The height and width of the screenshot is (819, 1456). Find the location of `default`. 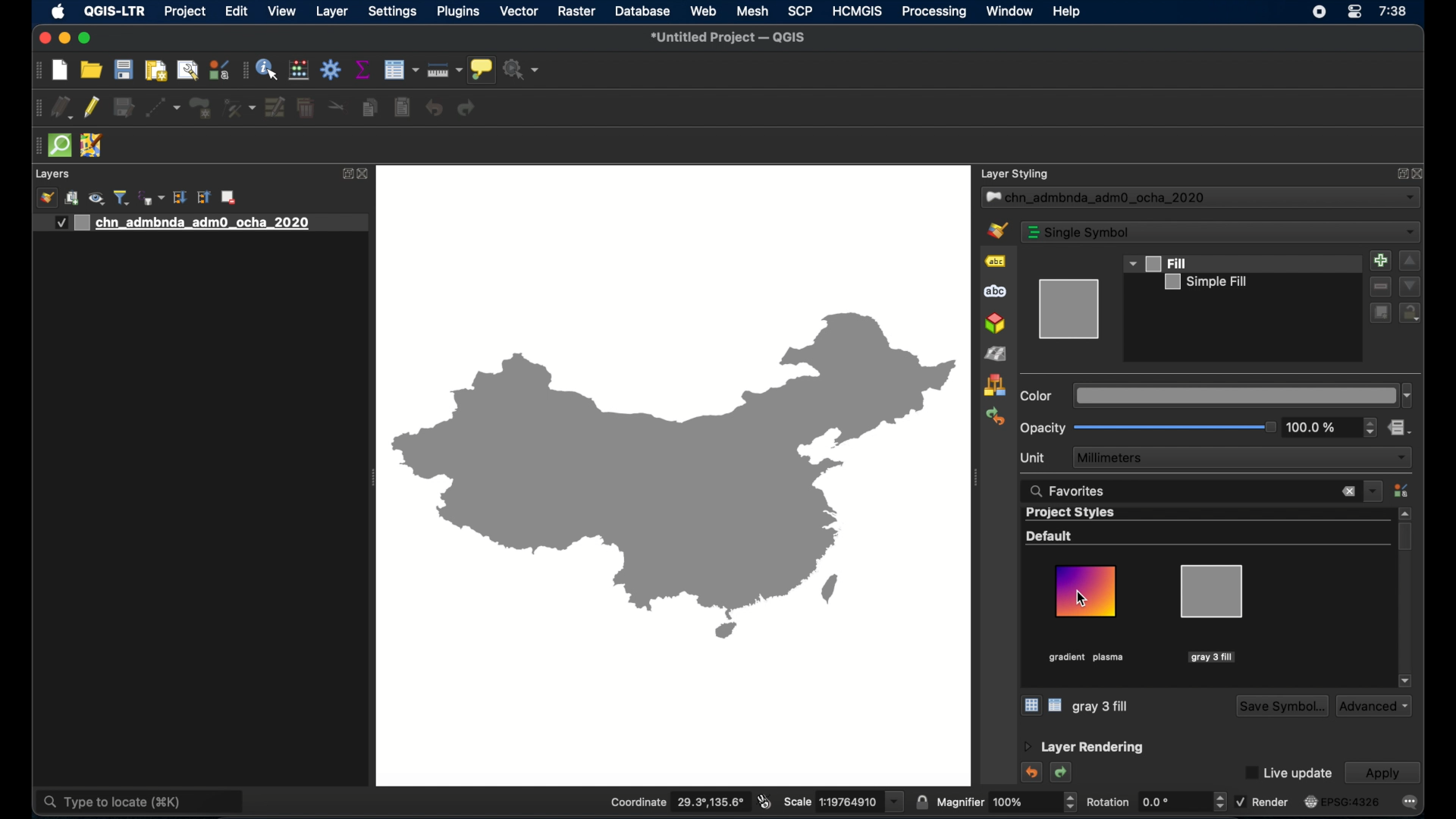

default is located at coordinates (1050, 536).